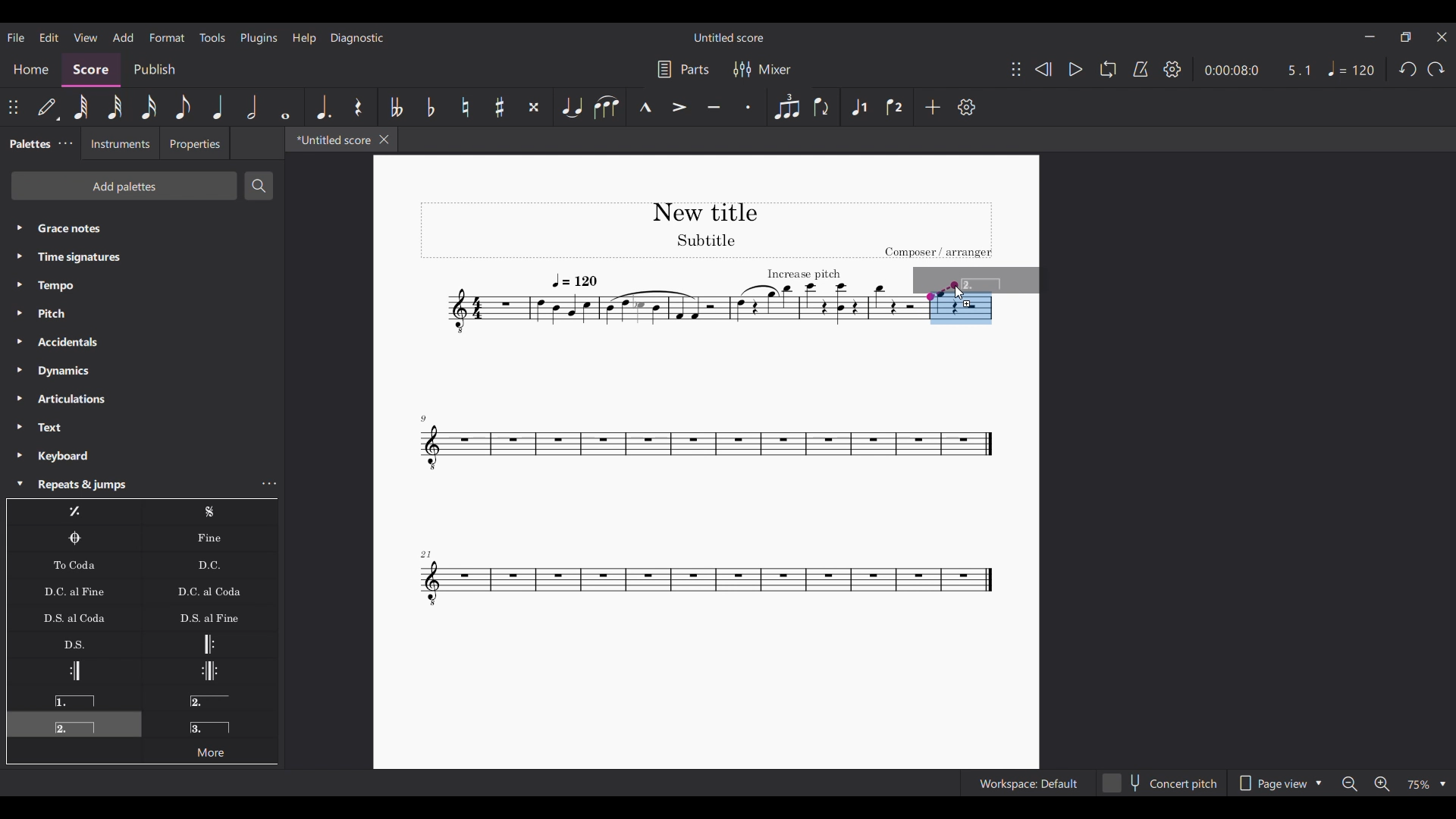 This screenshot has width=1456, height=819. I want to click on Segno, so click(210, 512).